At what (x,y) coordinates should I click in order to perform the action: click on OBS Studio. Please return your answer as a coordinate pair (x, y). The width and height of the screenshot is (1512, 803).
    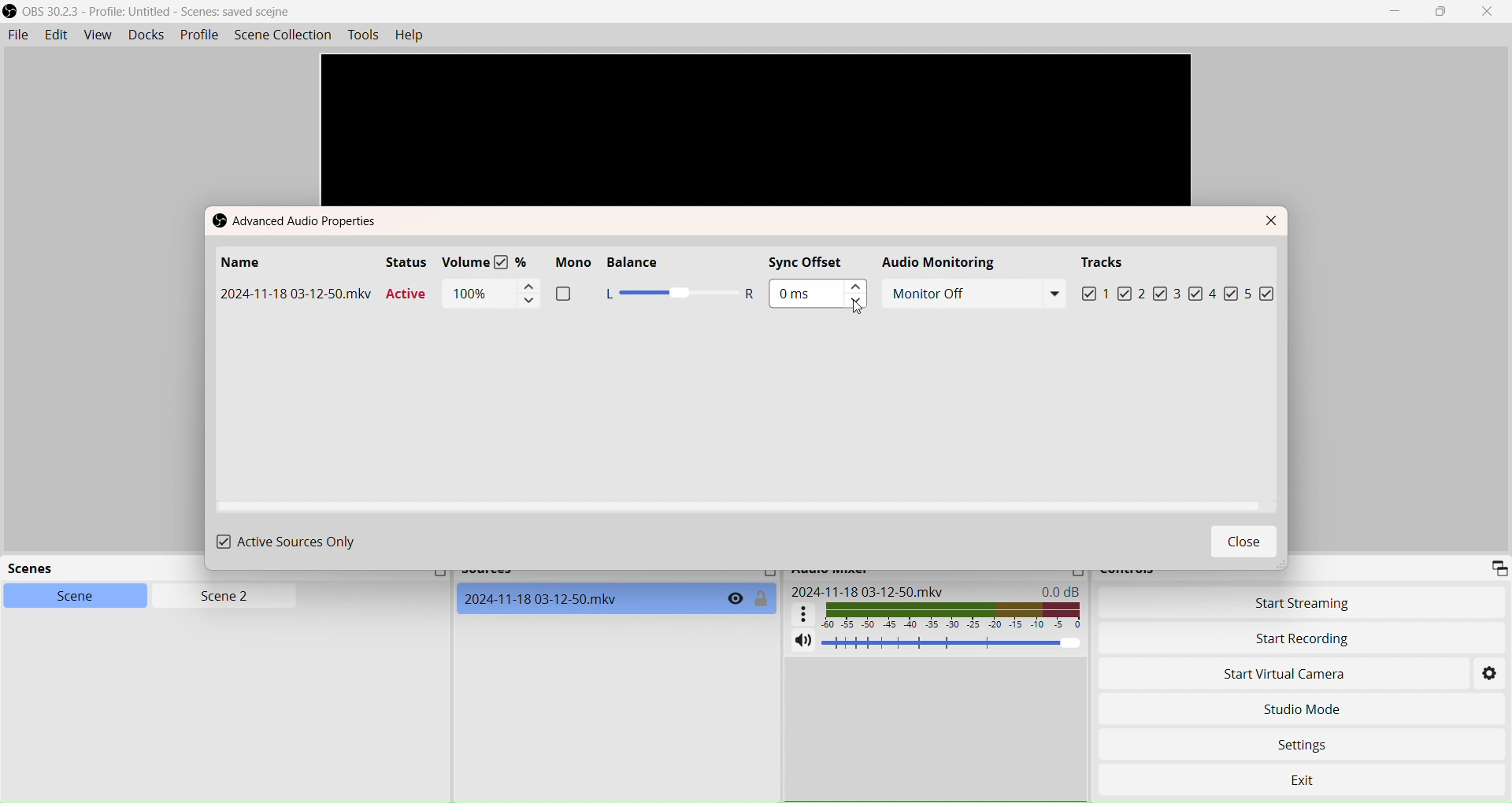
    Looking at the image, I should click on (154, 12).